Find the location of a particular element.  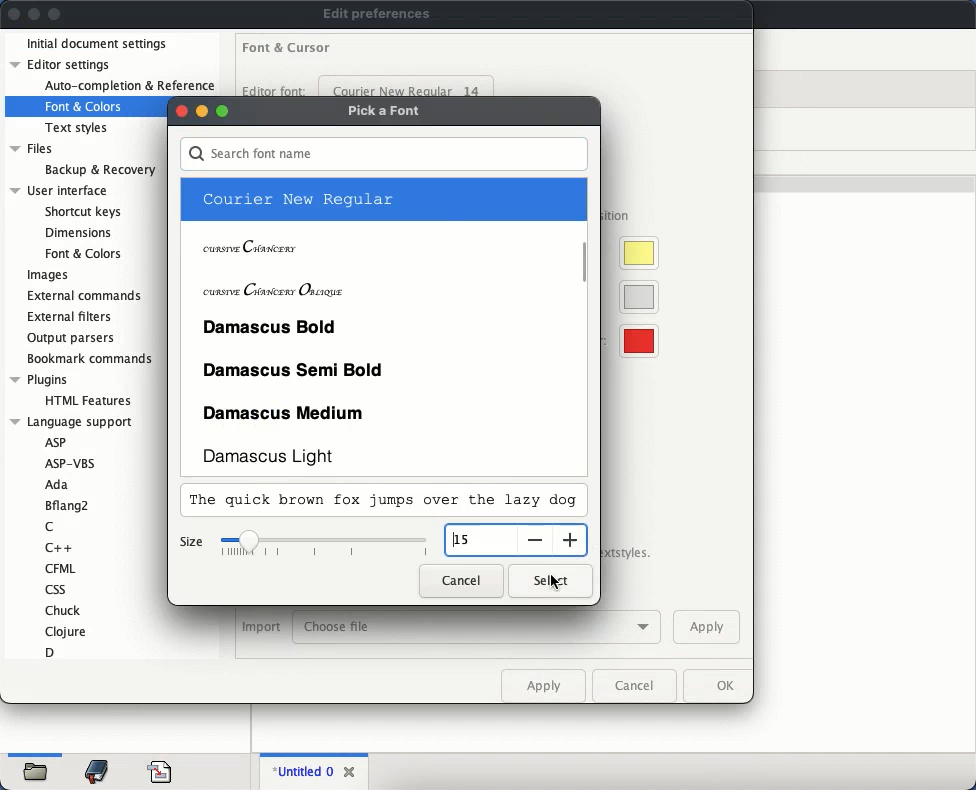

pick a font is located at coordinates (387, 112).